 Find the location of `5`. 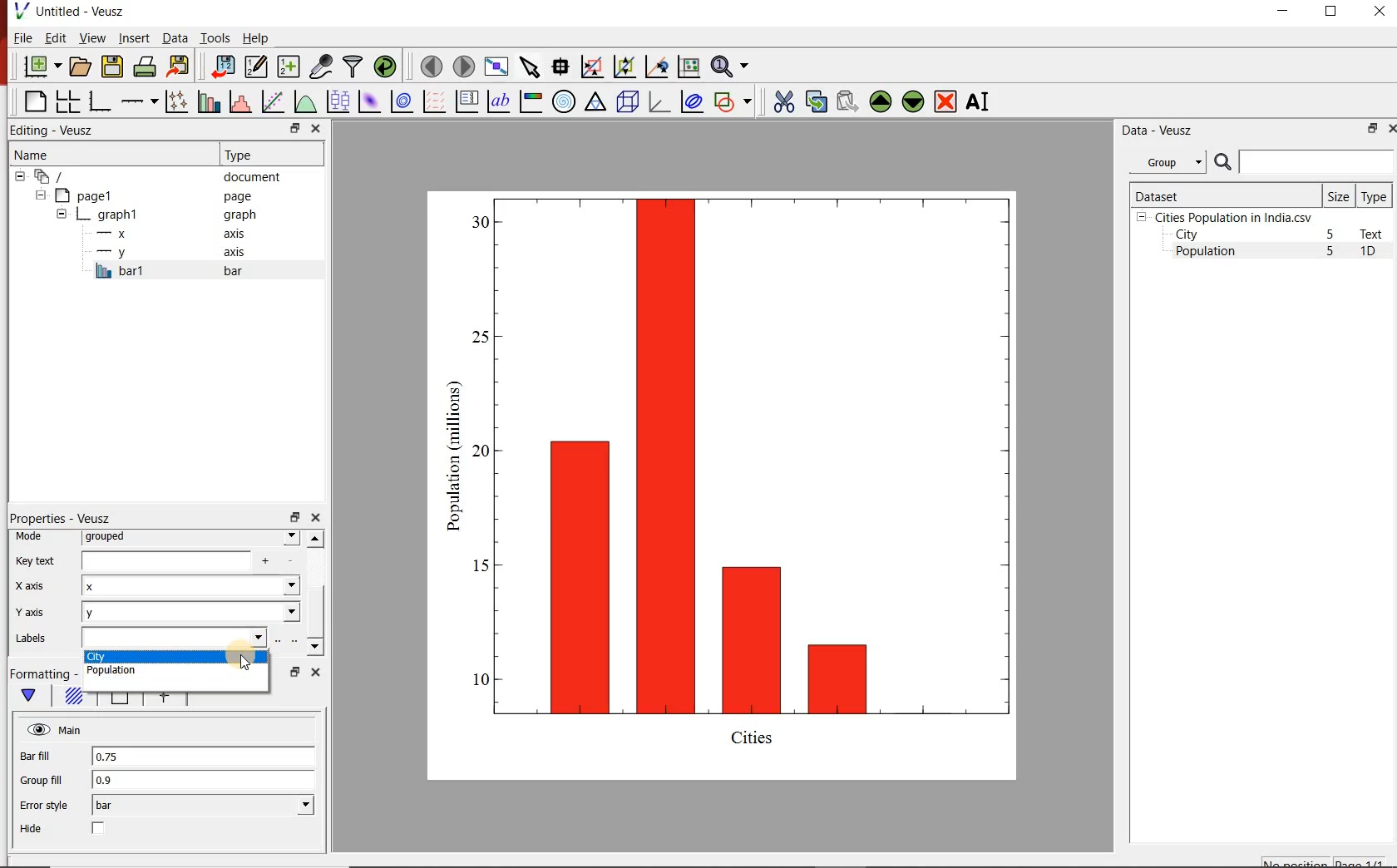

5 is located at coordinates (1331, 252).